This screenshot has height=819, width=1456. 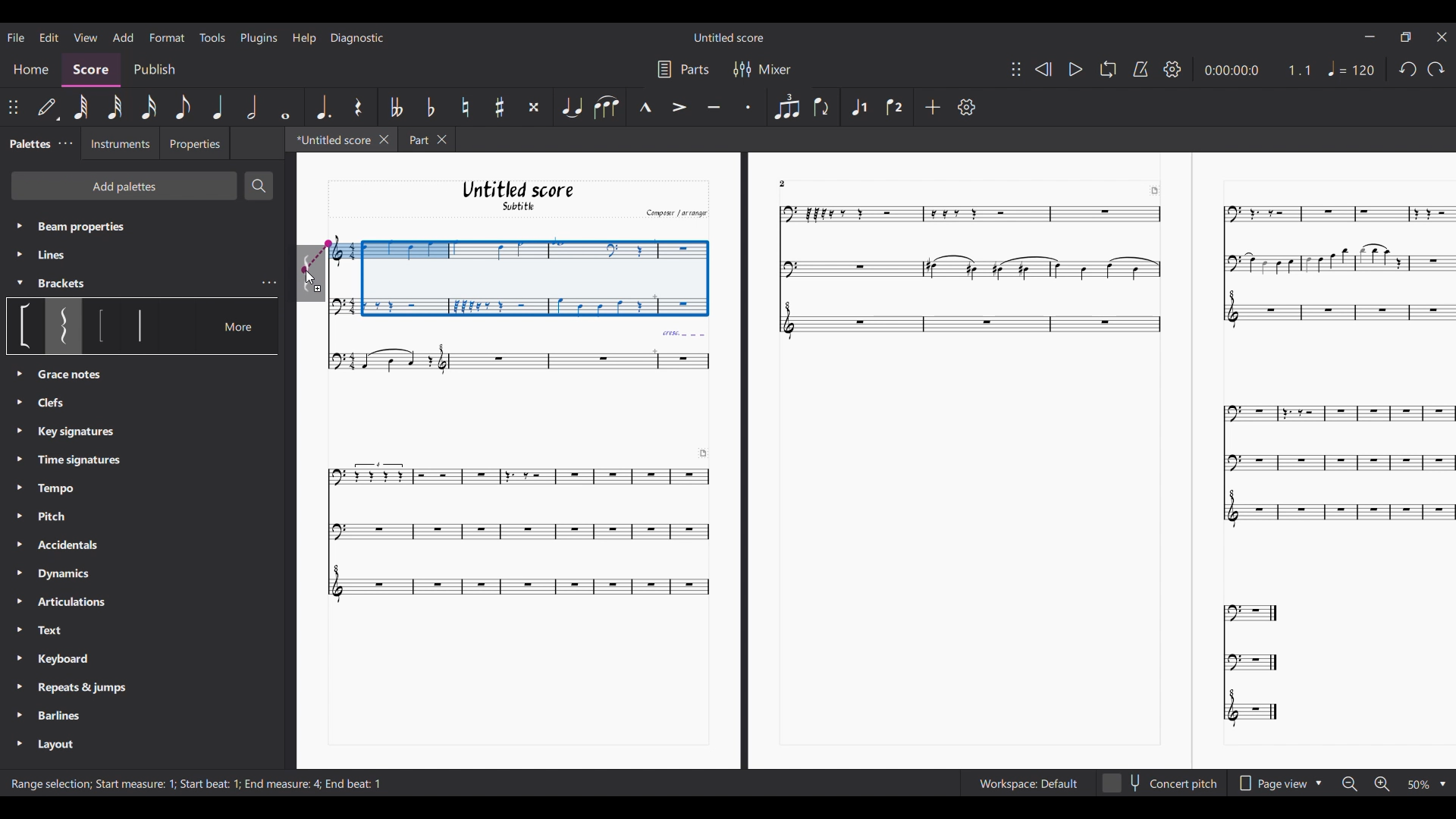 What do you see at coordinates (1381, 784) in the screenshot?
I see `Zoom in` at bounding box center [1381, 784].